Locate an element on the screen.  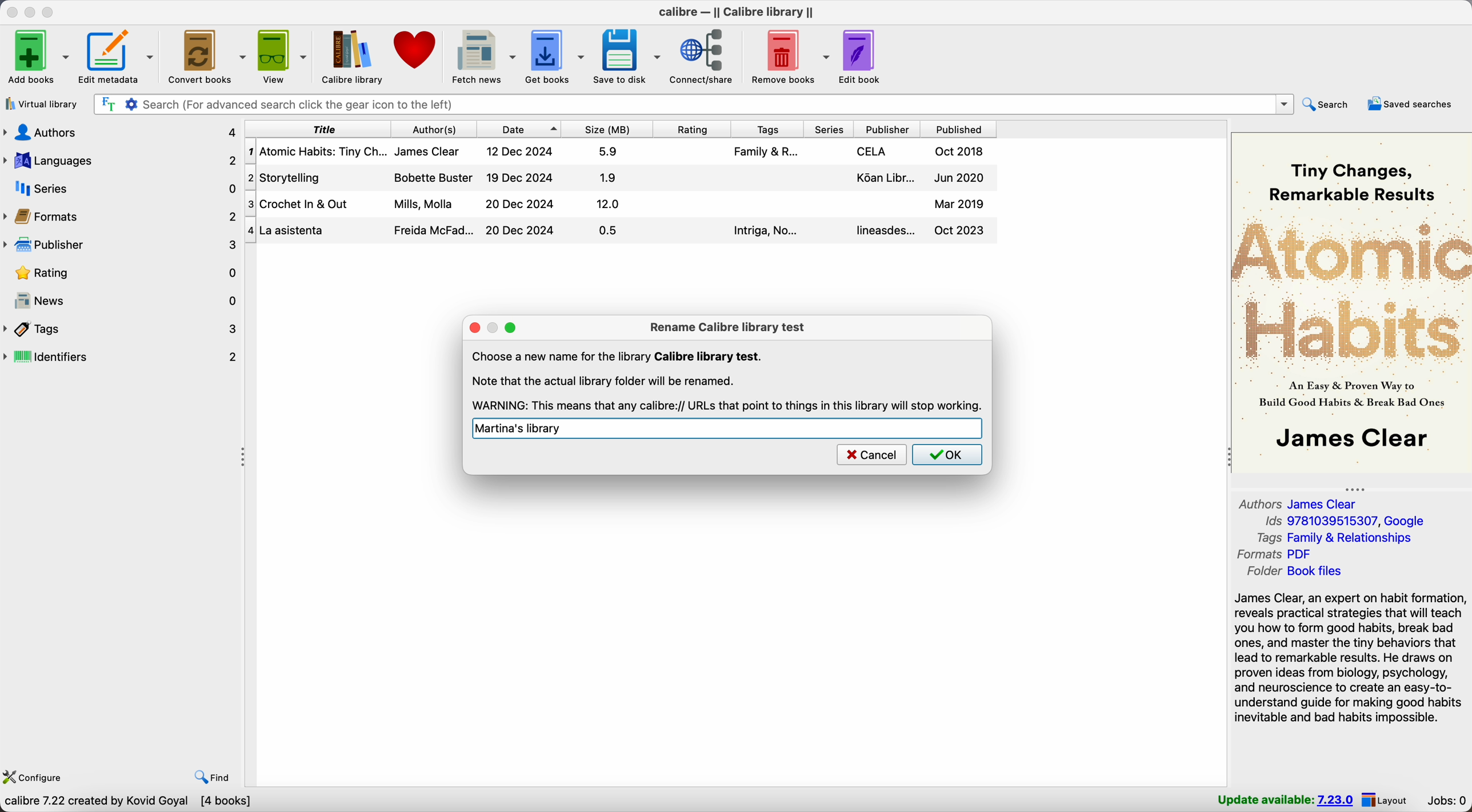
Ids 9781039515307, Google is located at coordinates (1346, 519).